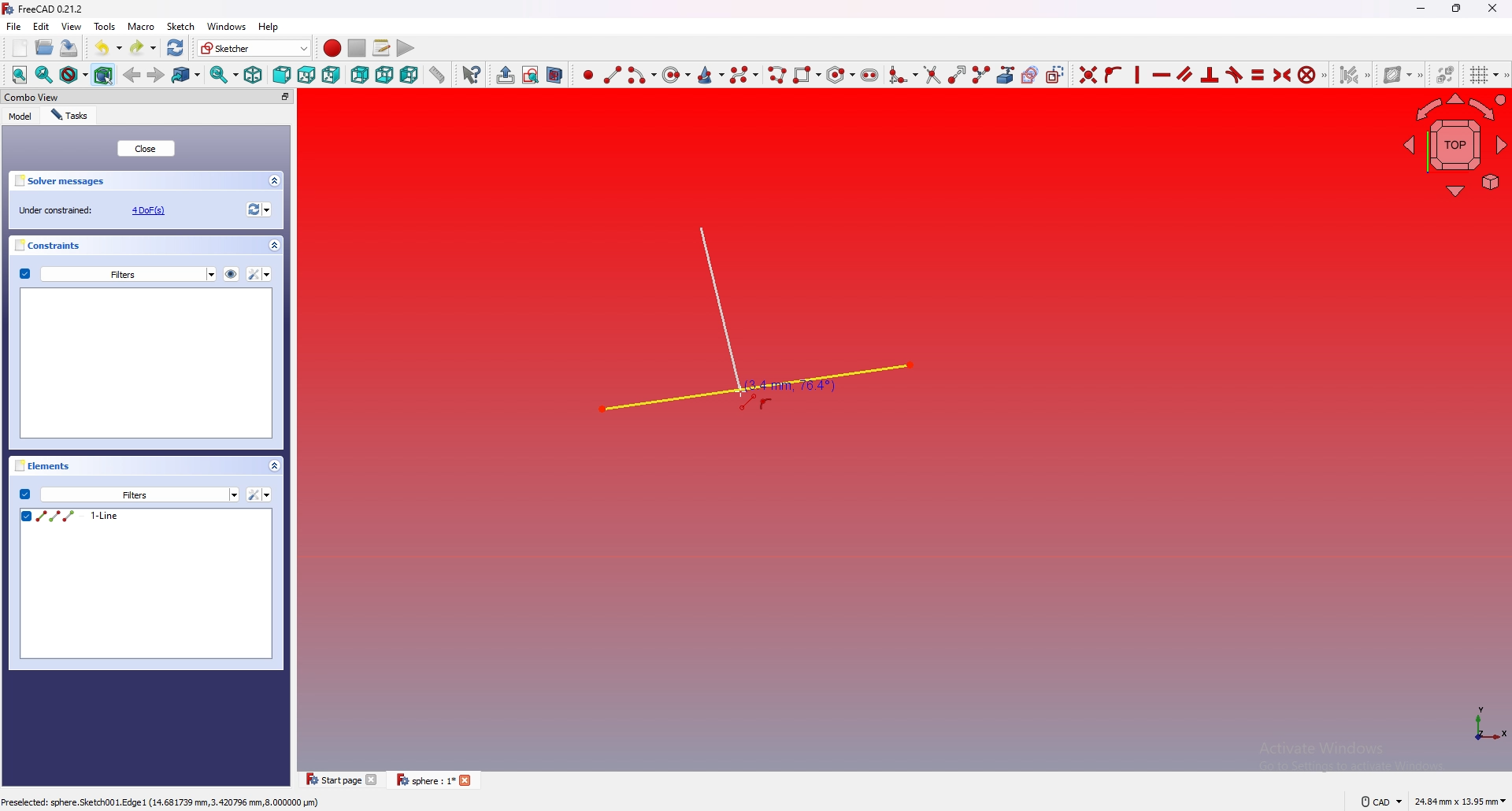 This screenshot has height=811, width=1512. Describe the element at coordinates (72, 75) in the screenshot. I see `Draw style` at that location.